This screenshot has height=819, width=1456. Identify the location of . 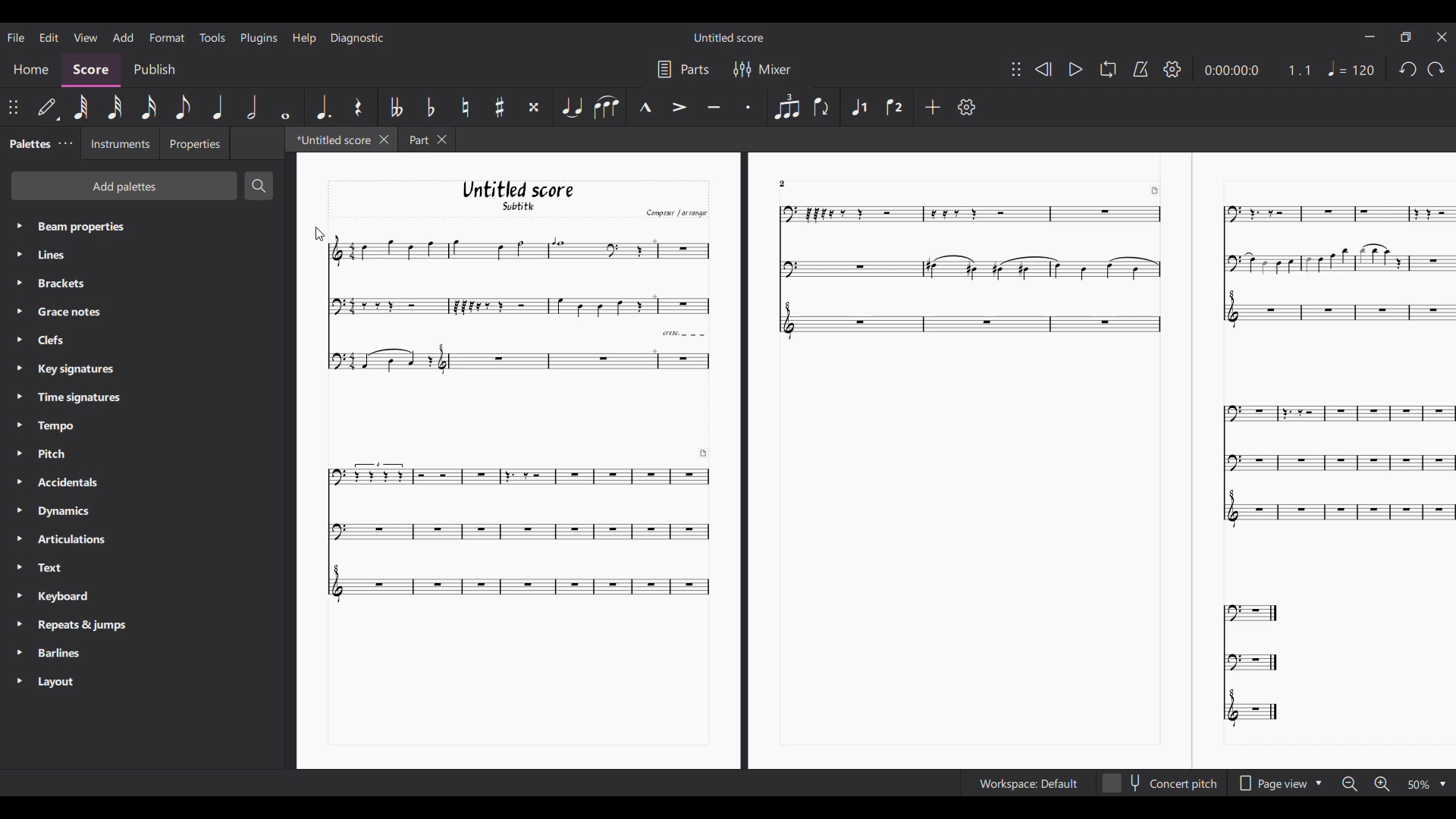
(17, 253).